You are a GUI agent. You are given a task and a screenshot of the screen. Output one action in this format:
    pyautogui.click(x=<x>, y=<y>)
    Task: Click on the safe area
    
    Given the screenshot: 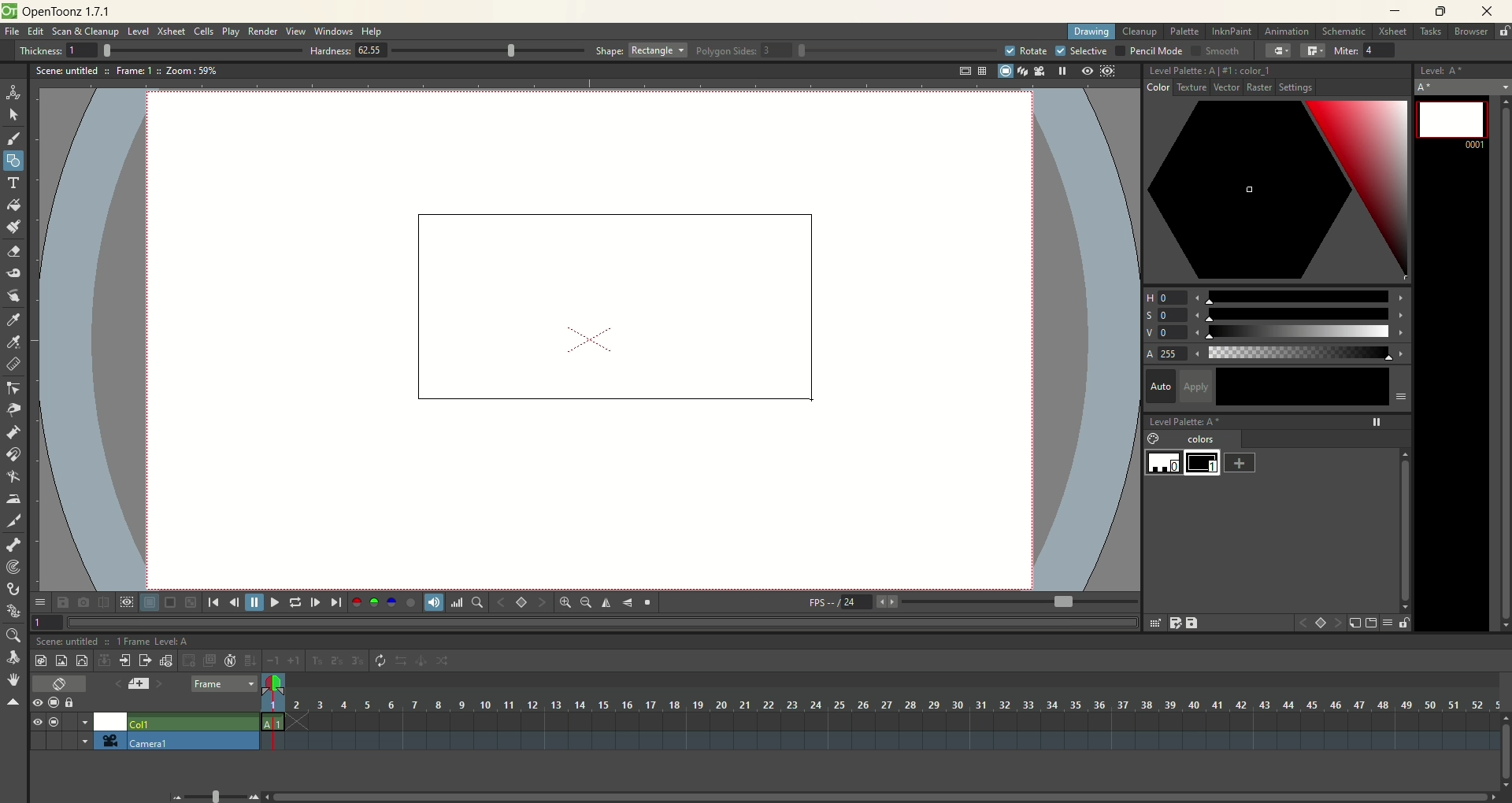 What is the action you would take?
    pyautogui.click(x=963, y=72)
    